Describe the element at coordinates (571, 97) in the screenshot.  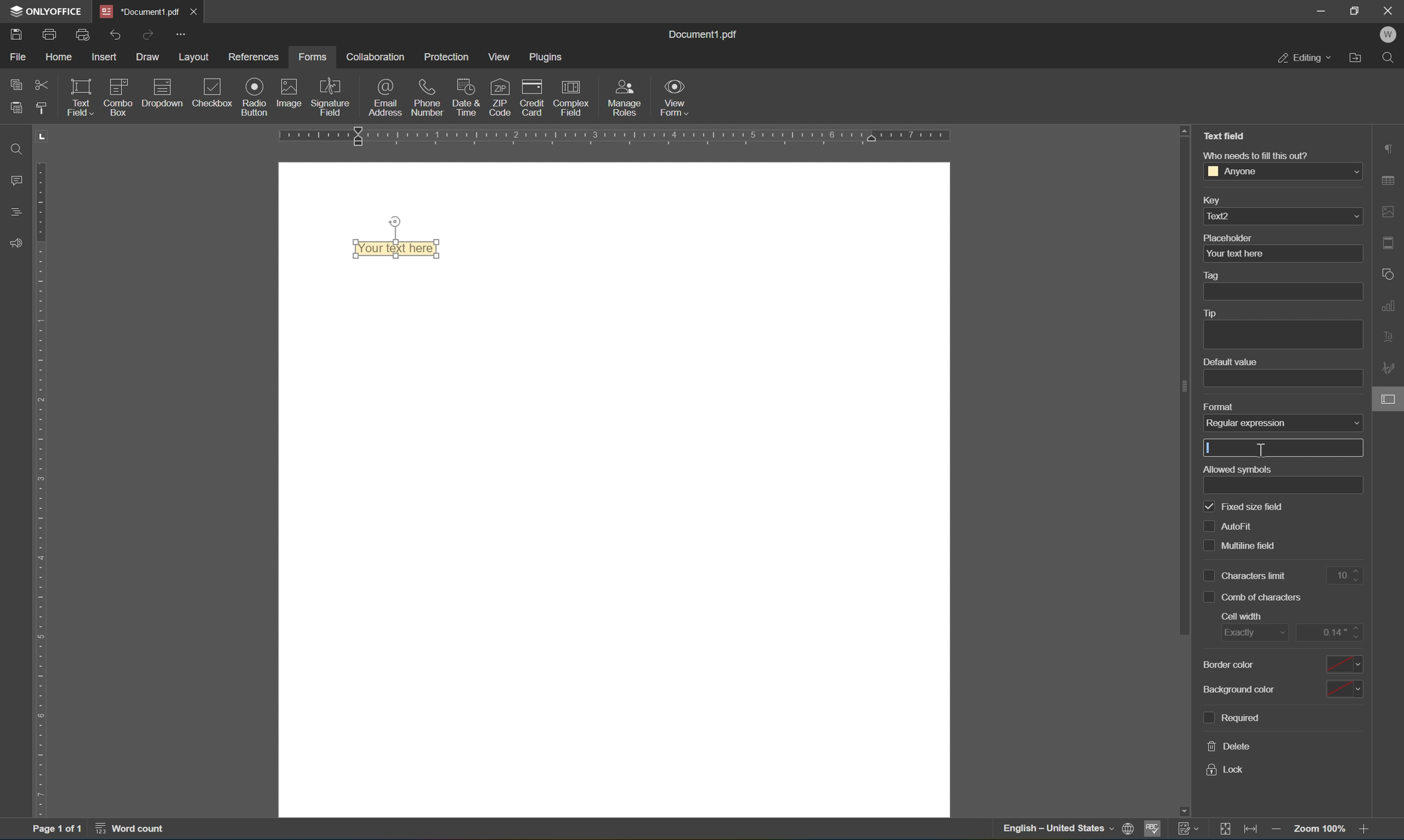
I see `complex field` at that location.